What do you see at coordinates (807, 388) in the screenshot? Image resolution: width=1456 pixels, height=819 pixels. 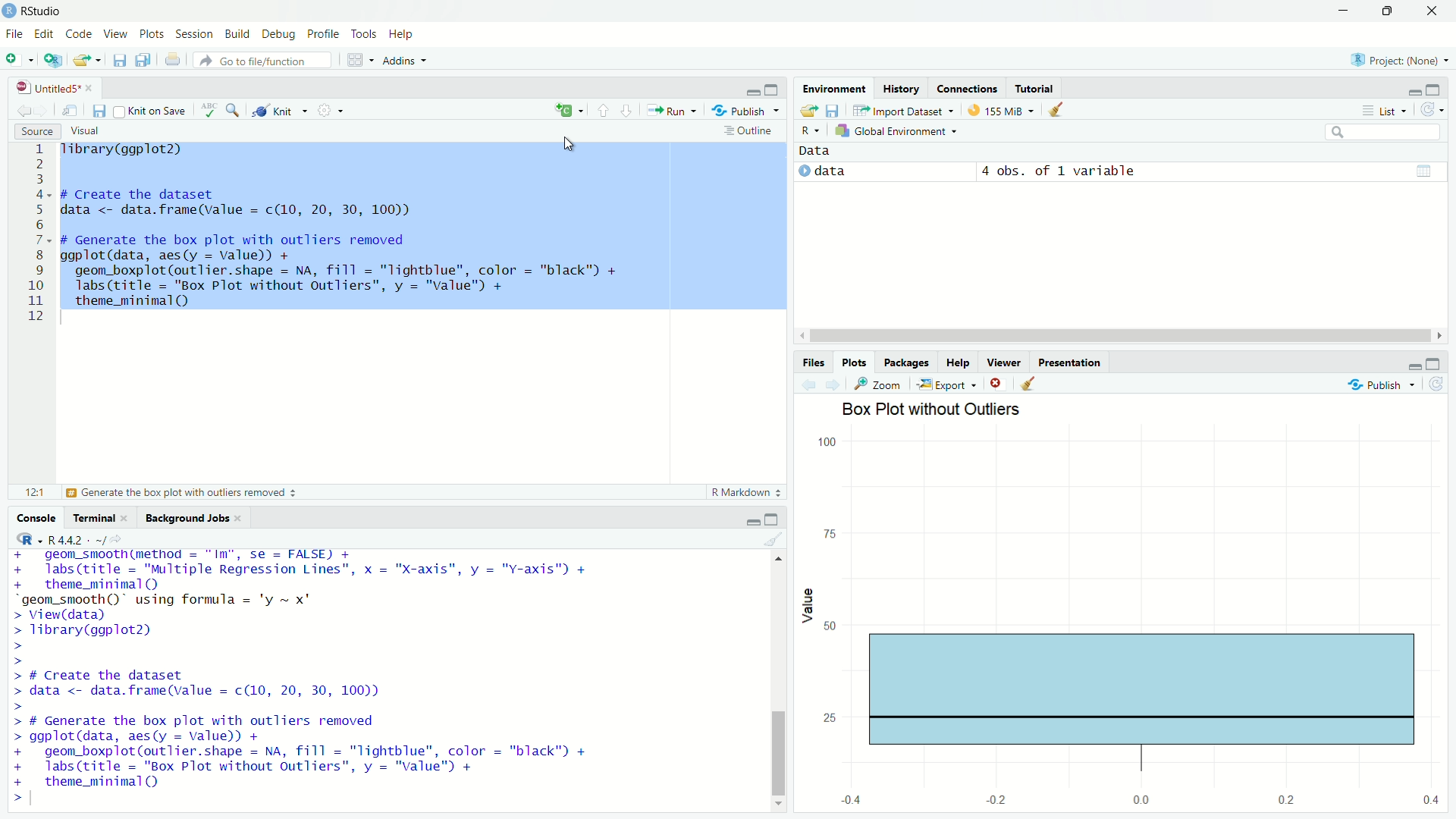 I see `back` at bounding box center [807, 388].